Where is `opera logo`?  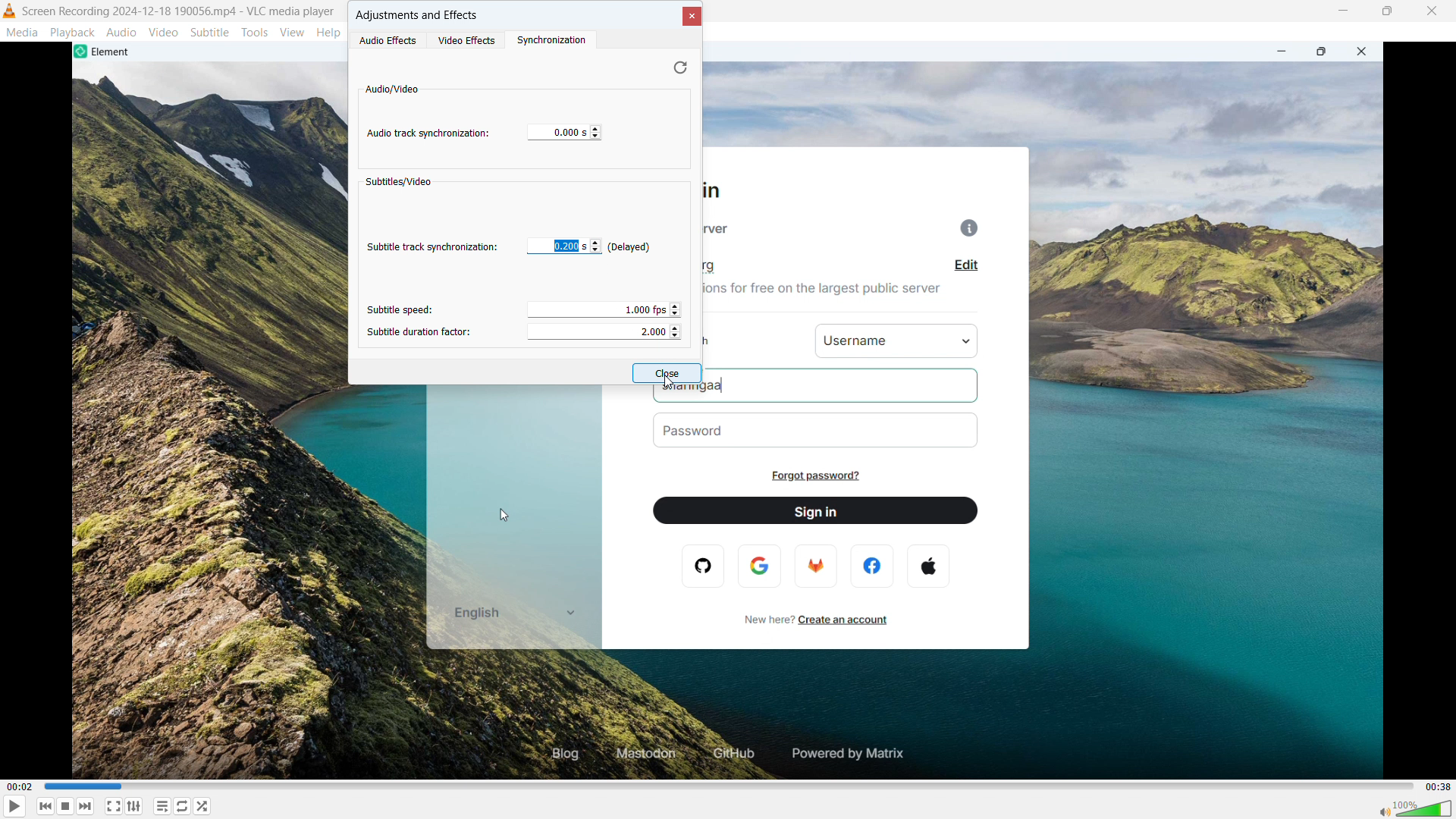 opera logo is located at coordinates (704, 565).